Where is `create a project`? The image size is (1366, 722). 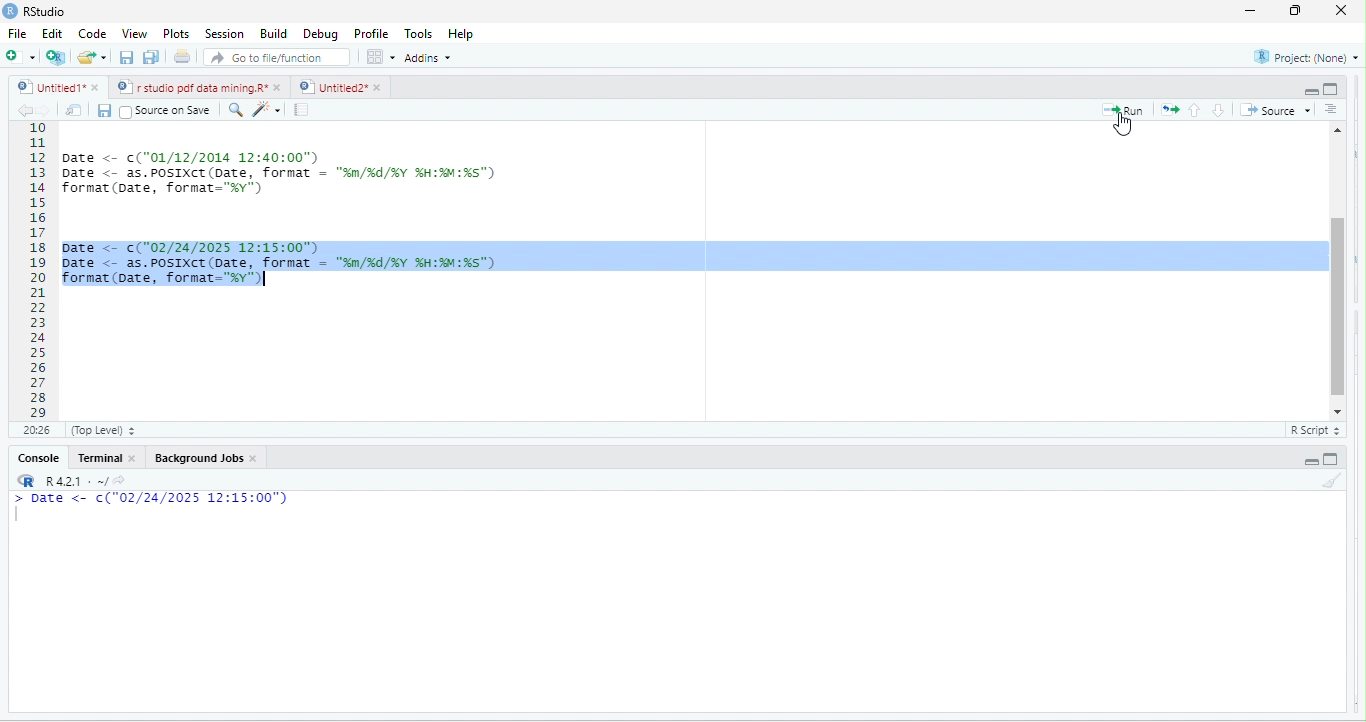
create a project is located at coordinates (54, 57).